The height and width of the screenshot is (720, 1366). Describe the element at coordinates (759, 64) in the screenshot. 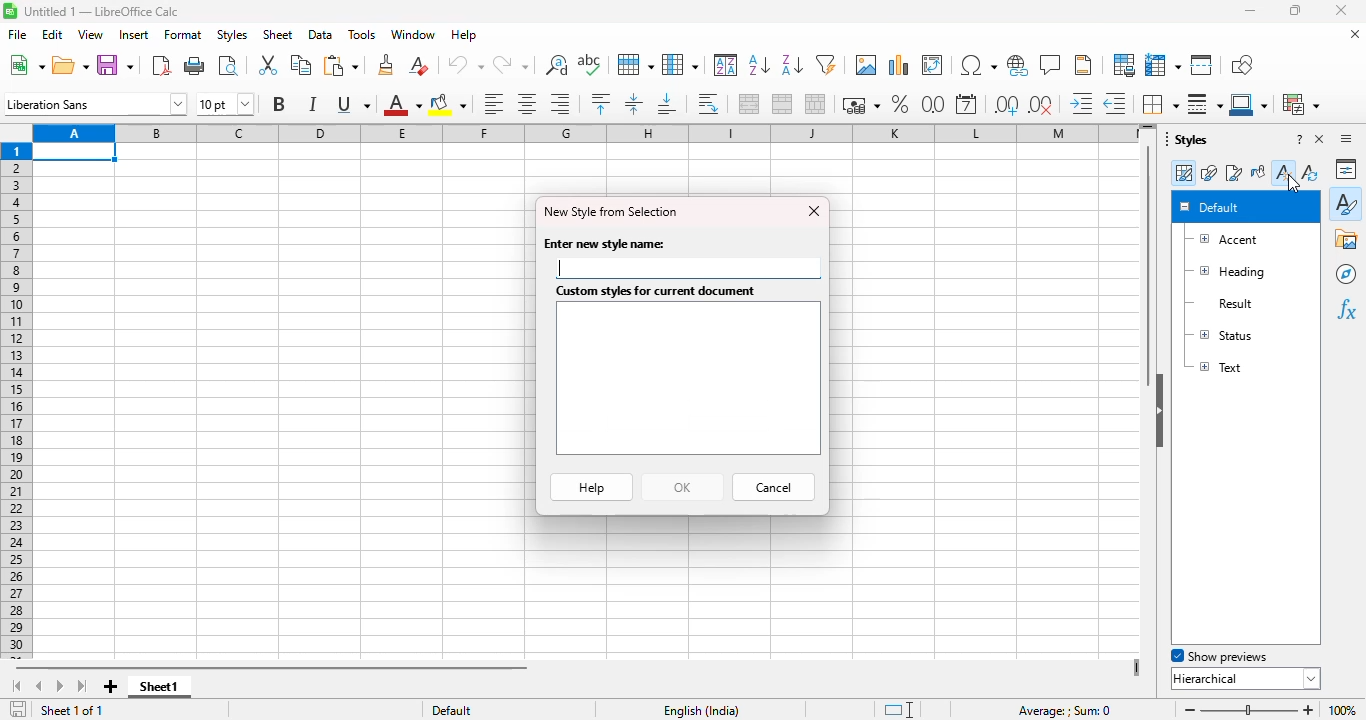

I see `sort ascending` at that location.